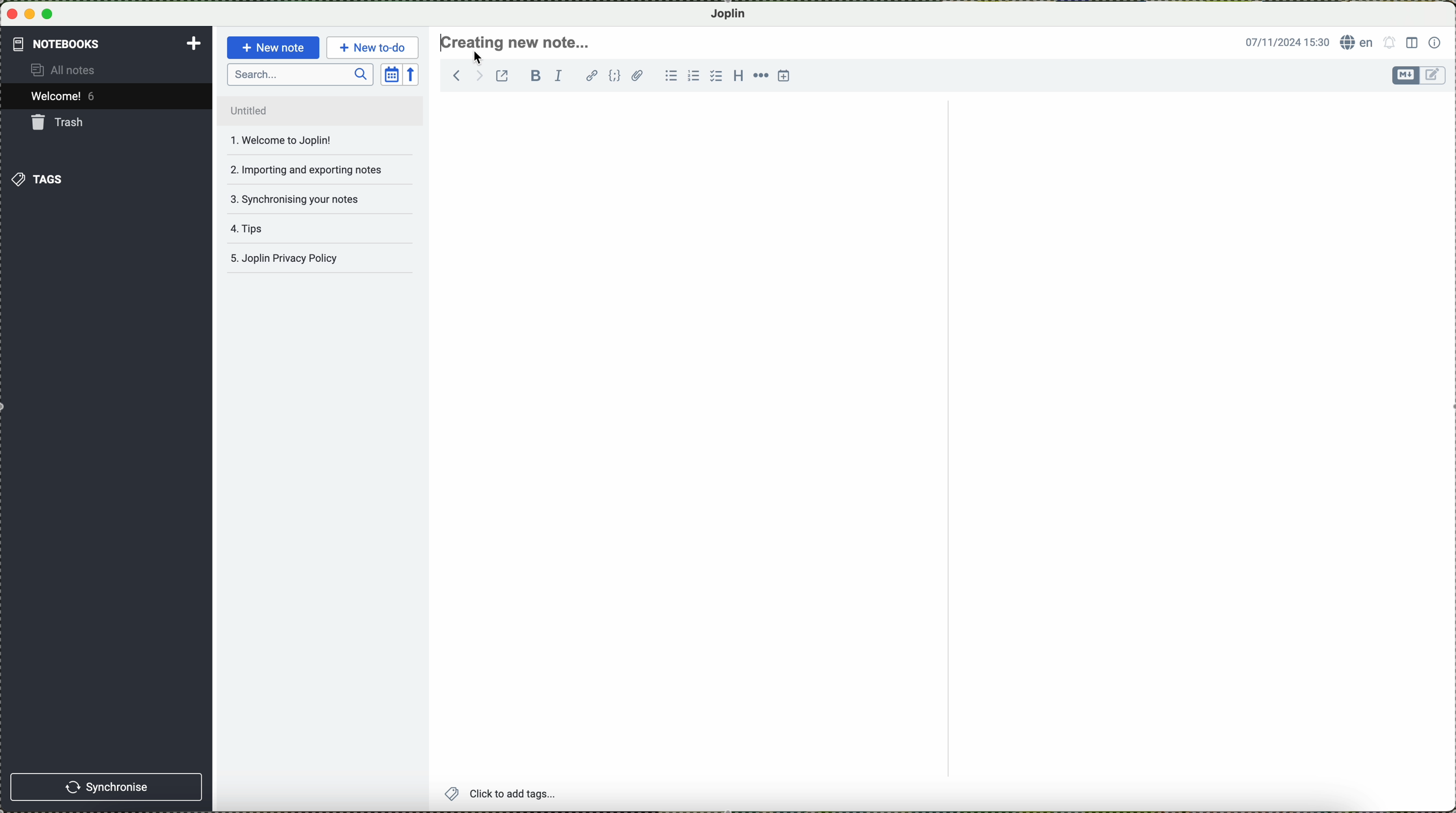 The width and height of the screenshot is (1456, 813). What do you see at coordinates (459, 77) in the screenshot?
I see `navigate` at bounding box center [459, 77].